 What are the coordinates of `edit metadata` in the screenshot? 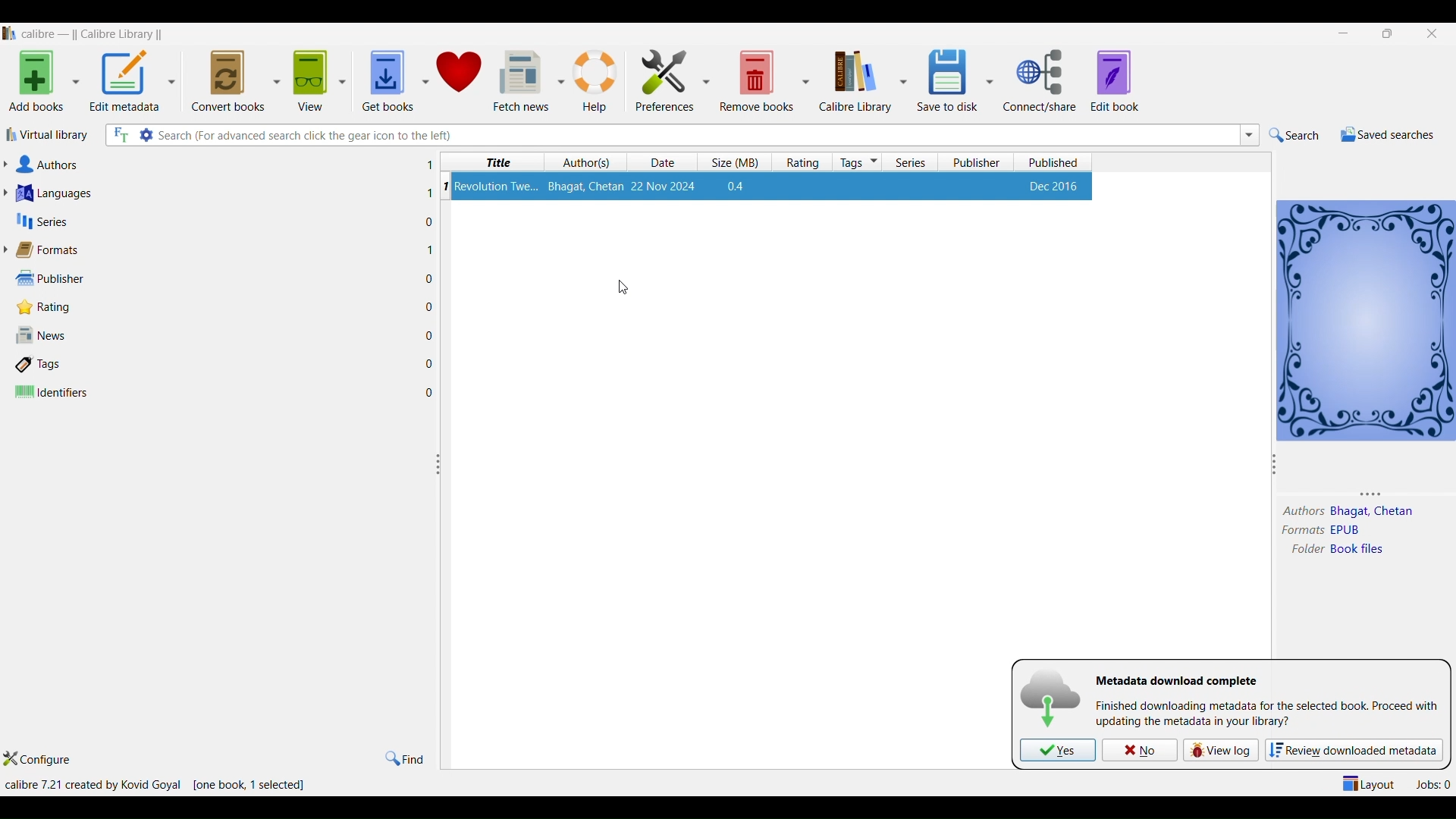 It's located at (126, 80).